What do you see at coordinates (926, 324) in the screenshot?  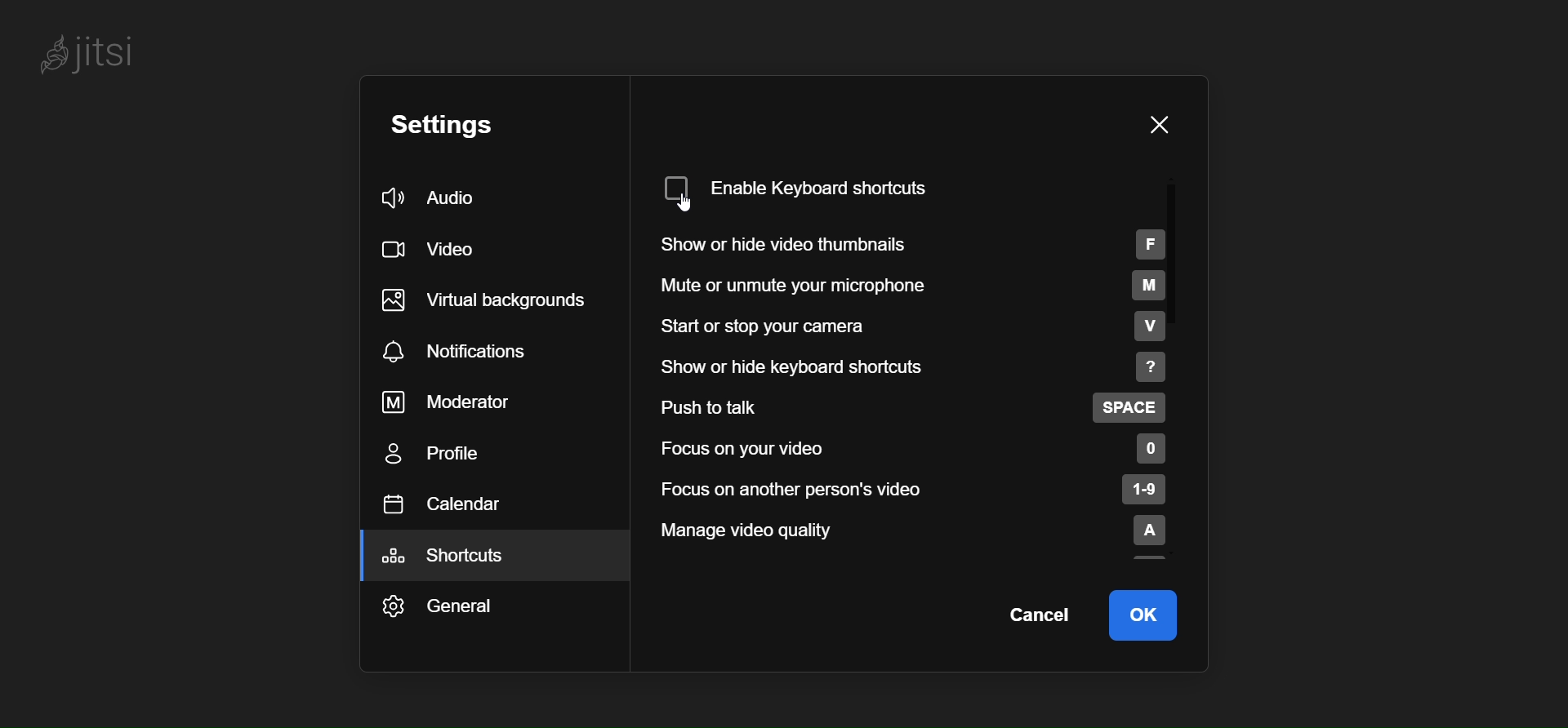 I see `start or stop your camera` at bounding box center [926, 324].